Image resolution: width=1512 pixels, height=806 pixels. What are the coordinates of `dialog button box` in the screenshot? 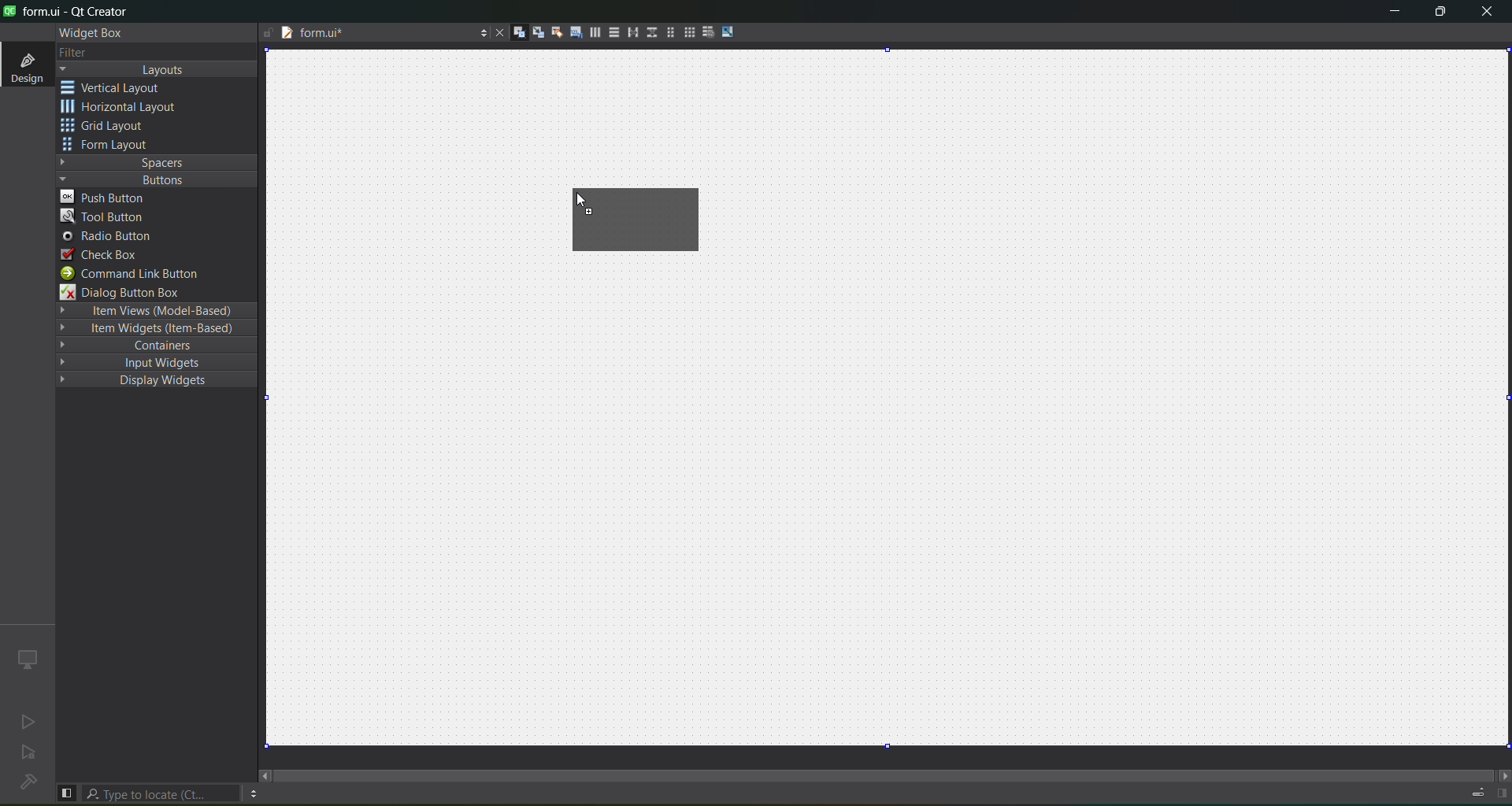 It's located at (130, 293).